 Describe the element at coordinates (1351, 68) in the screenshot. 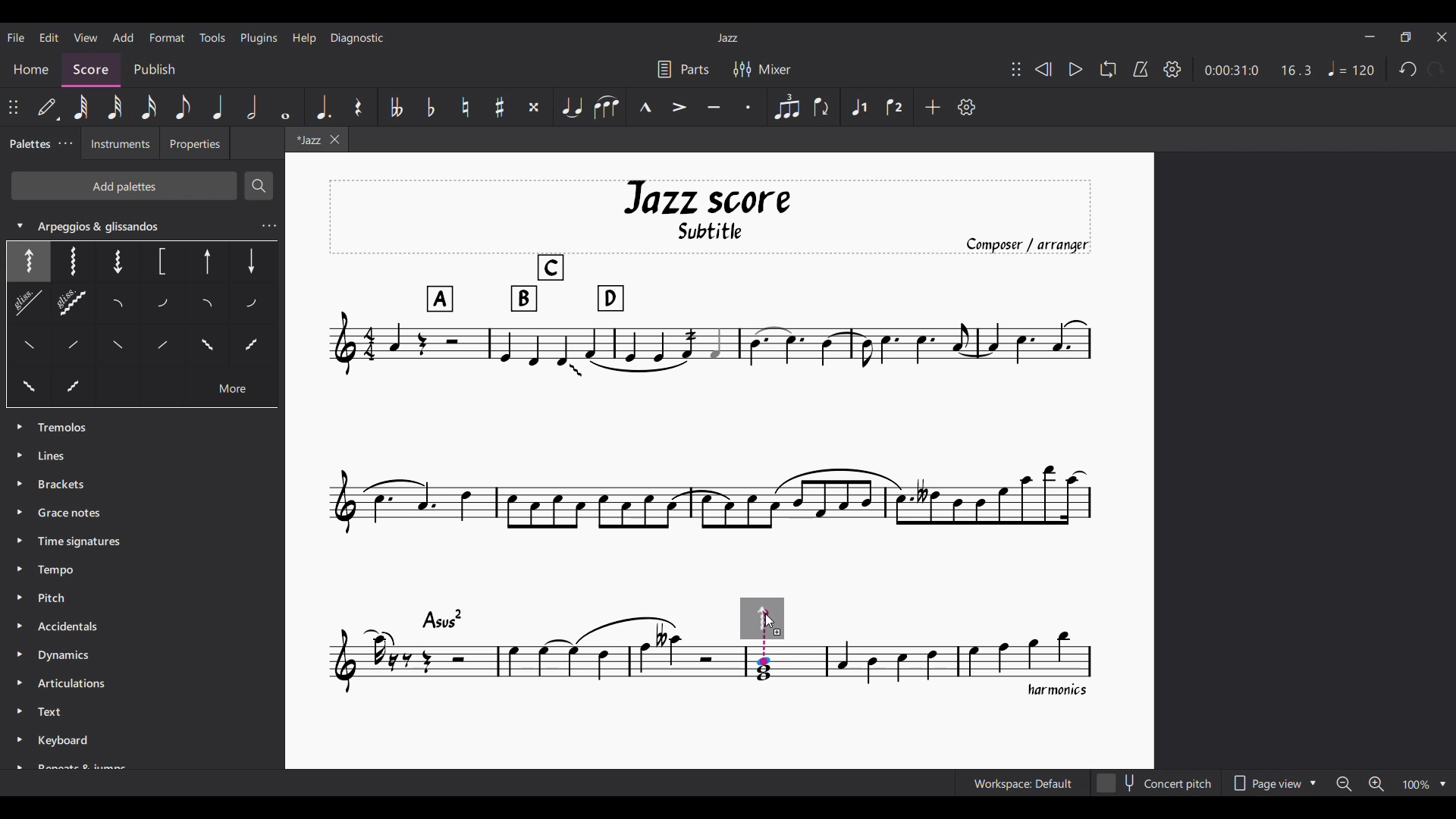

I see `Tempo` at that location.